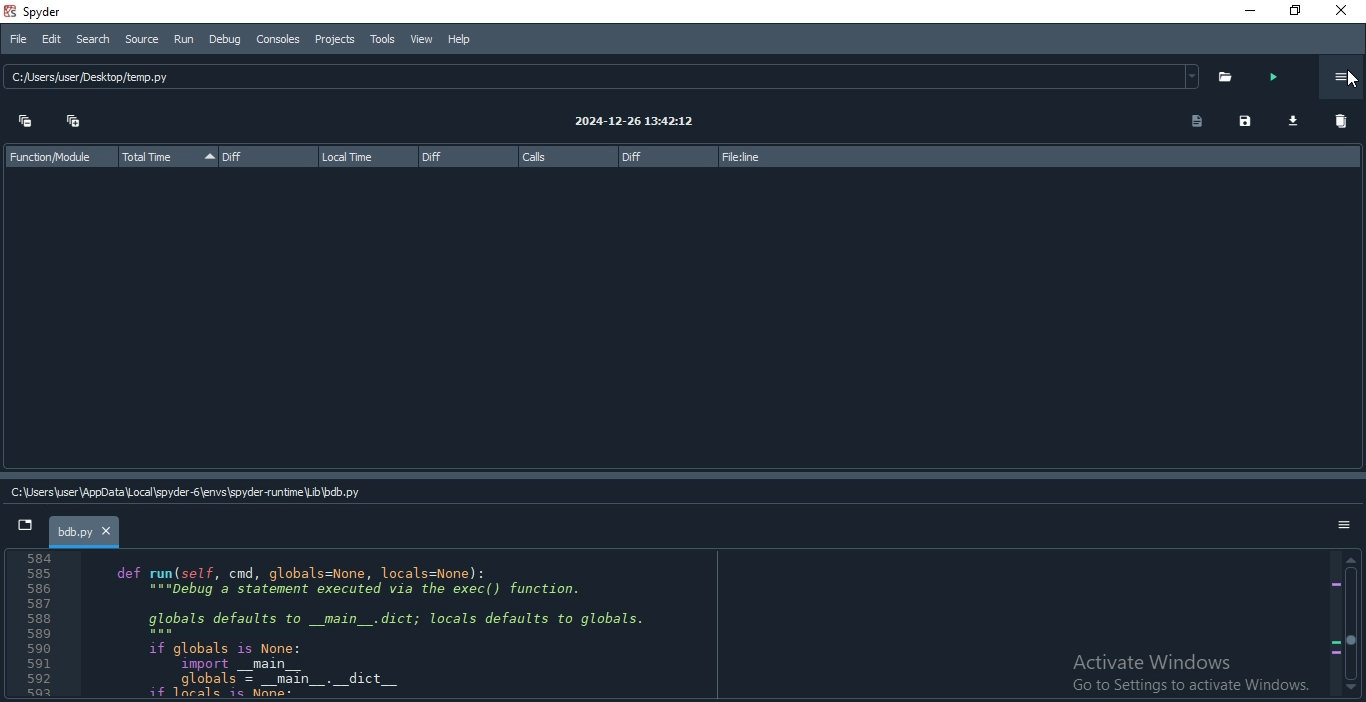 The image size is (1366, 702). I want to click on options, so click(1341, 76).